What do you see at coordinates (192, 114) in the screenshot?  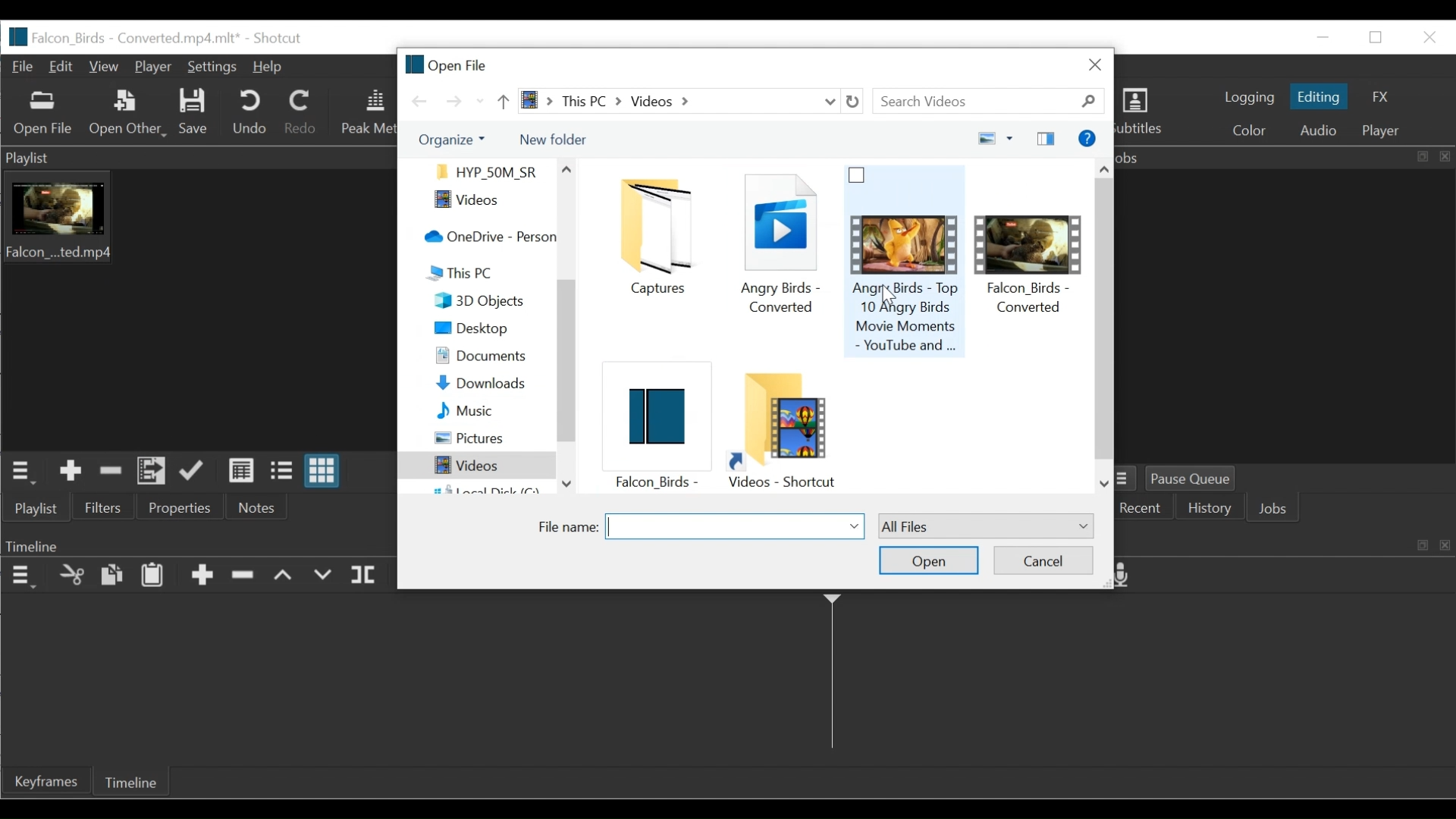 I see `Save` at bounding box center [192, 114].